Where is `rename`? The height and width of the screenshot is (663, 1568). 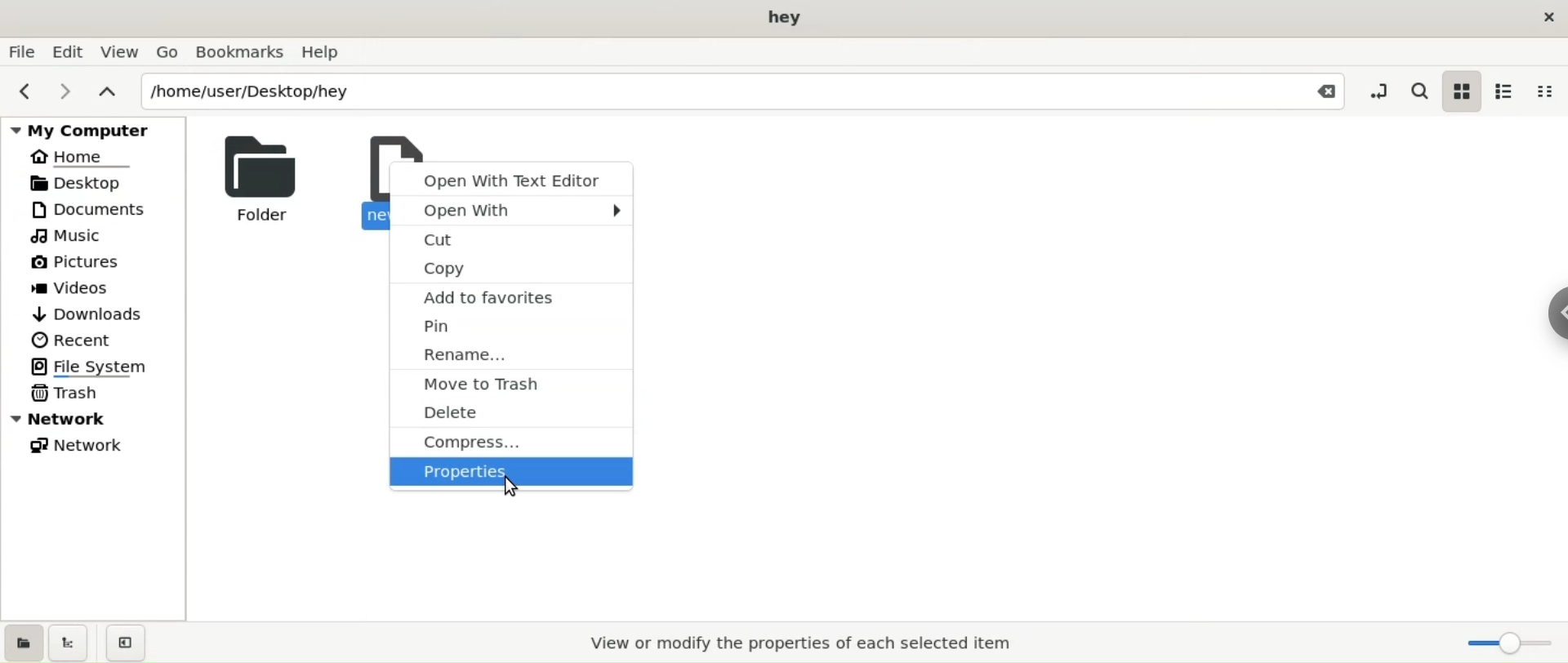 rename is located at coordinates (514, 354).